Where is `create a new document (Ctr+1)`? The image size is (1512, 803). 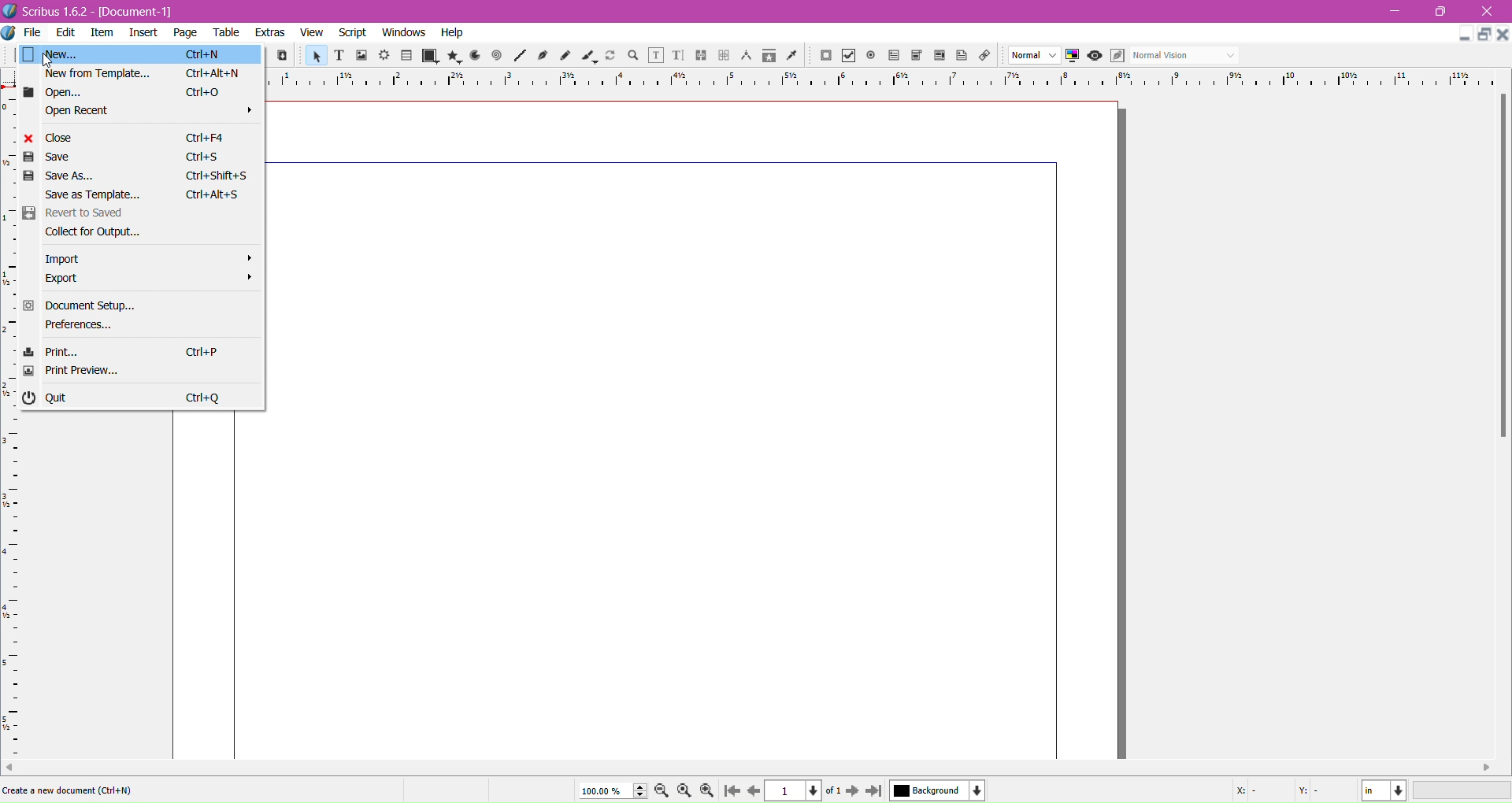 create a new document (Ctr+1) is located at coordinates (69, 789).